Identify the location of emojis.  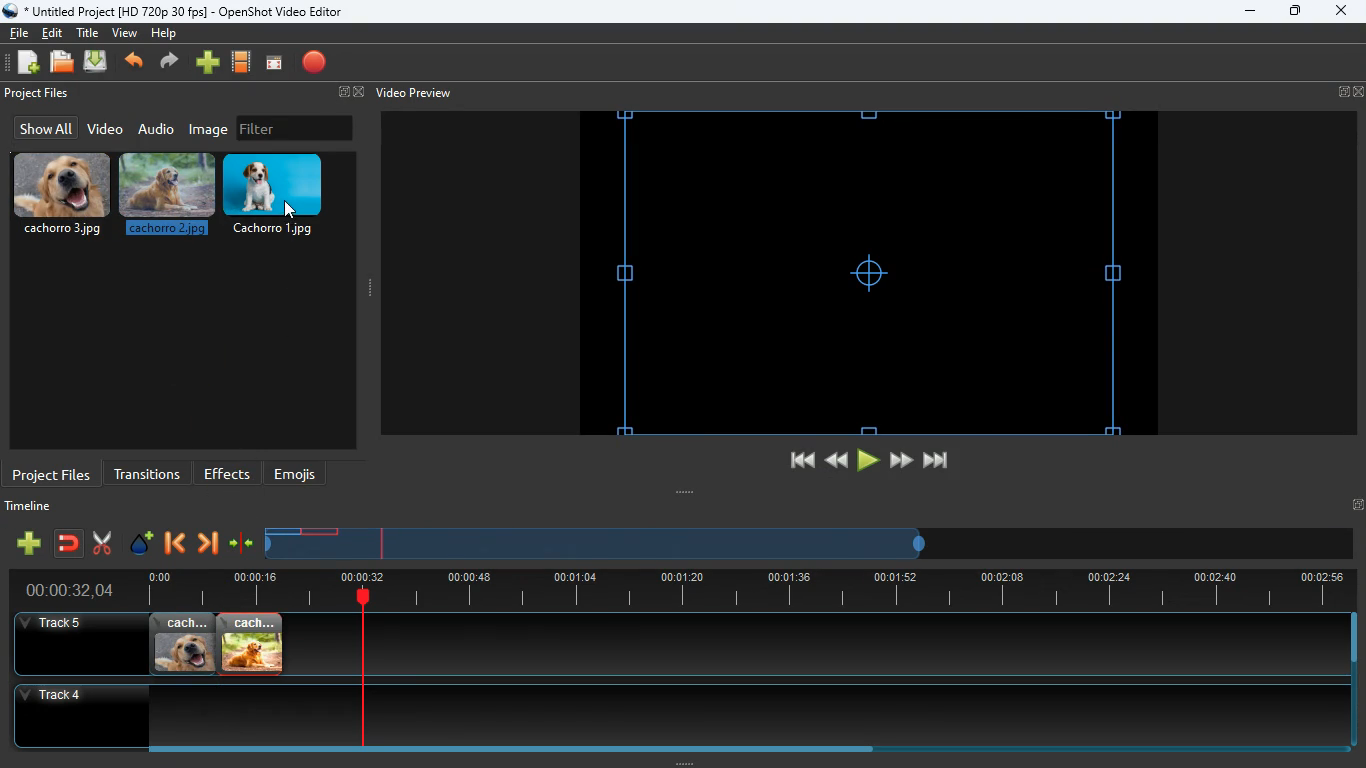
(300, 474).